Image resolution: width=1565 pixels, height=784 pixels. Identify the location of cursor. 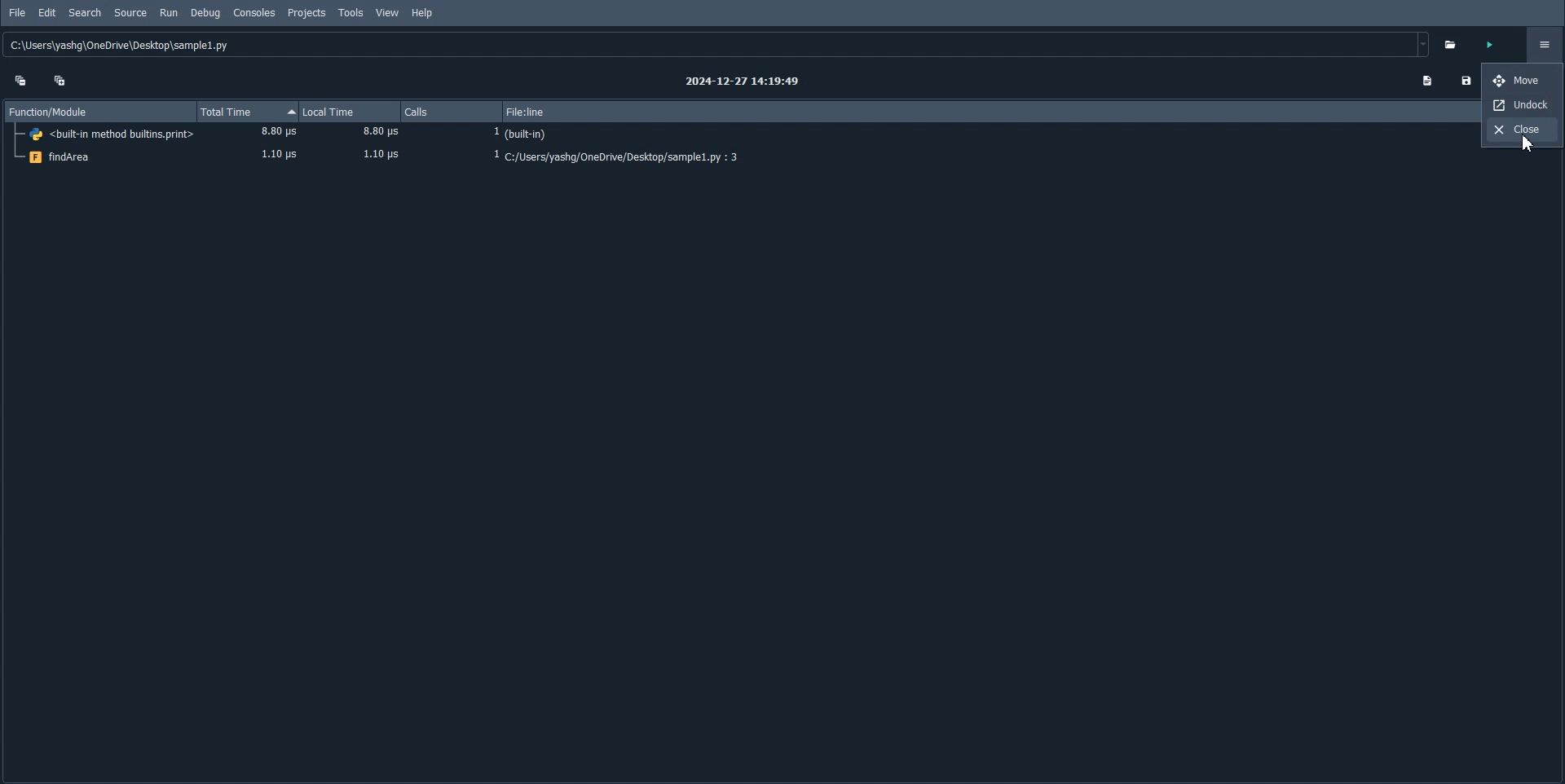
(1523, 145).